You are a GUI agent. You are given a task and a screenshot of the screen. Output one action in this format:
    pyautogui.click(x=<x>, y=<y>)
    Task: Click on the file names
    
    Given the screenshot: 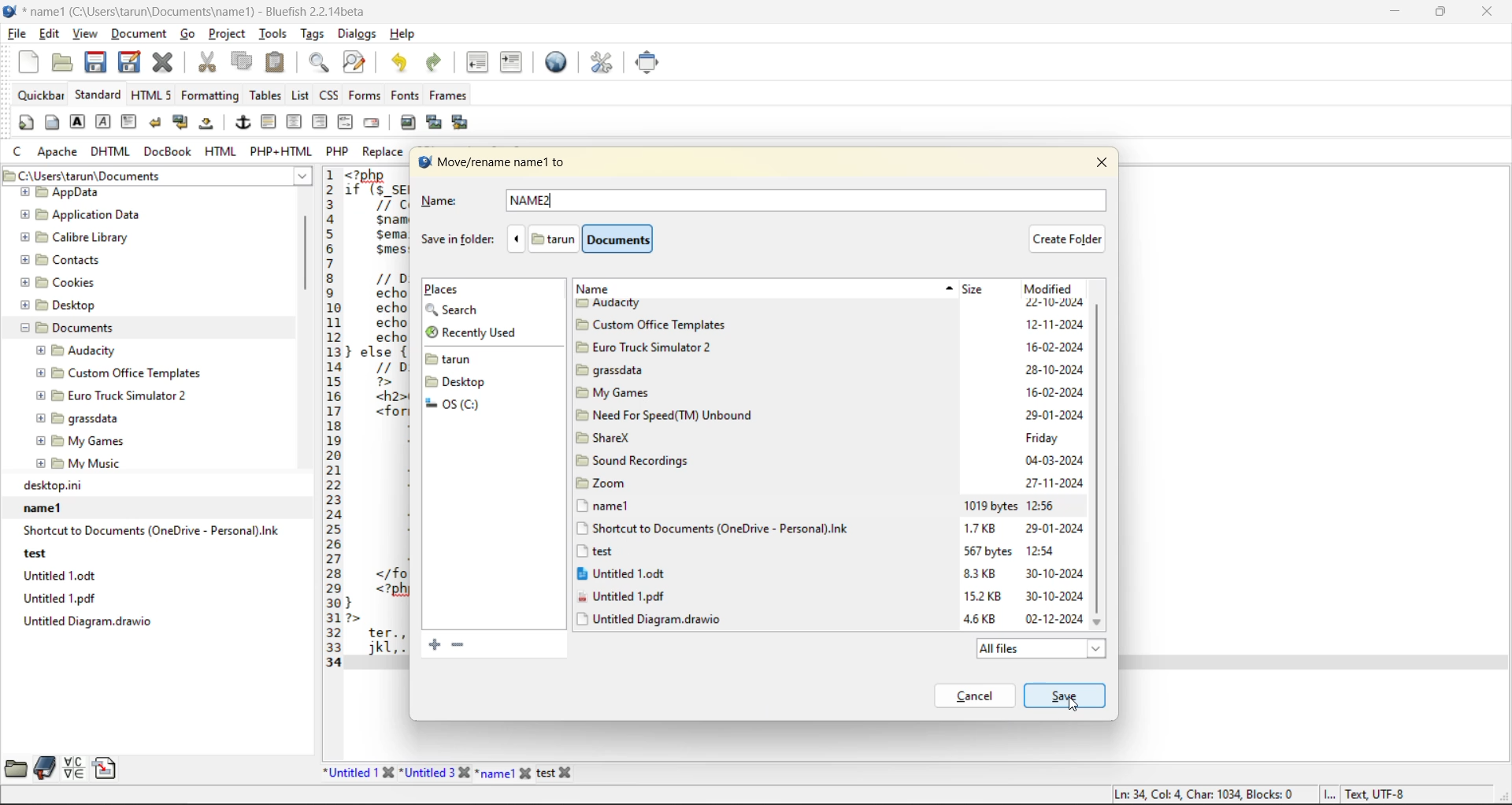 What is the action you would take?
    pyautogui.click(x=452, y=773)
    